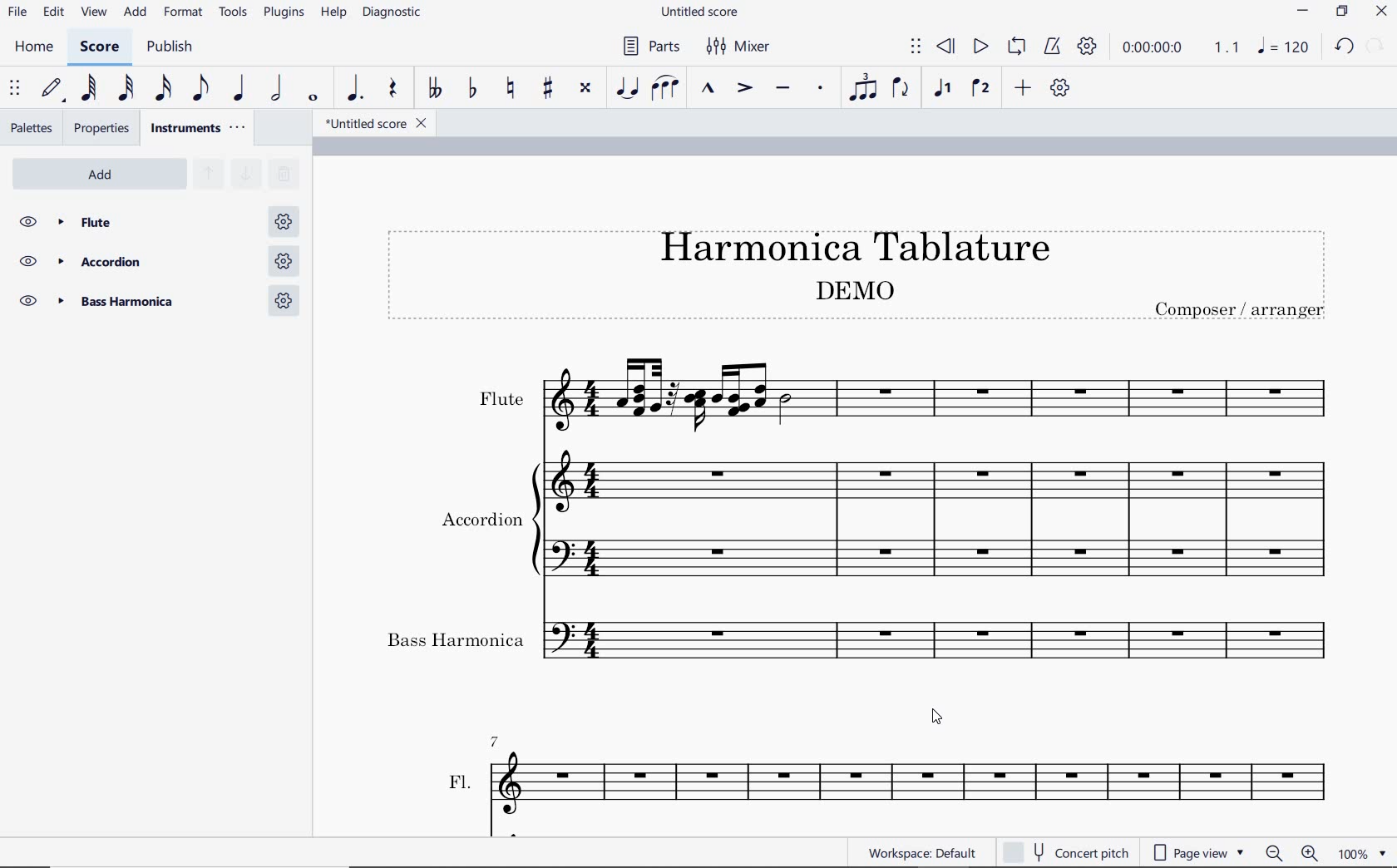 The image size is (1397, 868). What do you see at coordinates (1199, 854) in the screenshot?
I see `page view` at bounding box center [1199, 854].